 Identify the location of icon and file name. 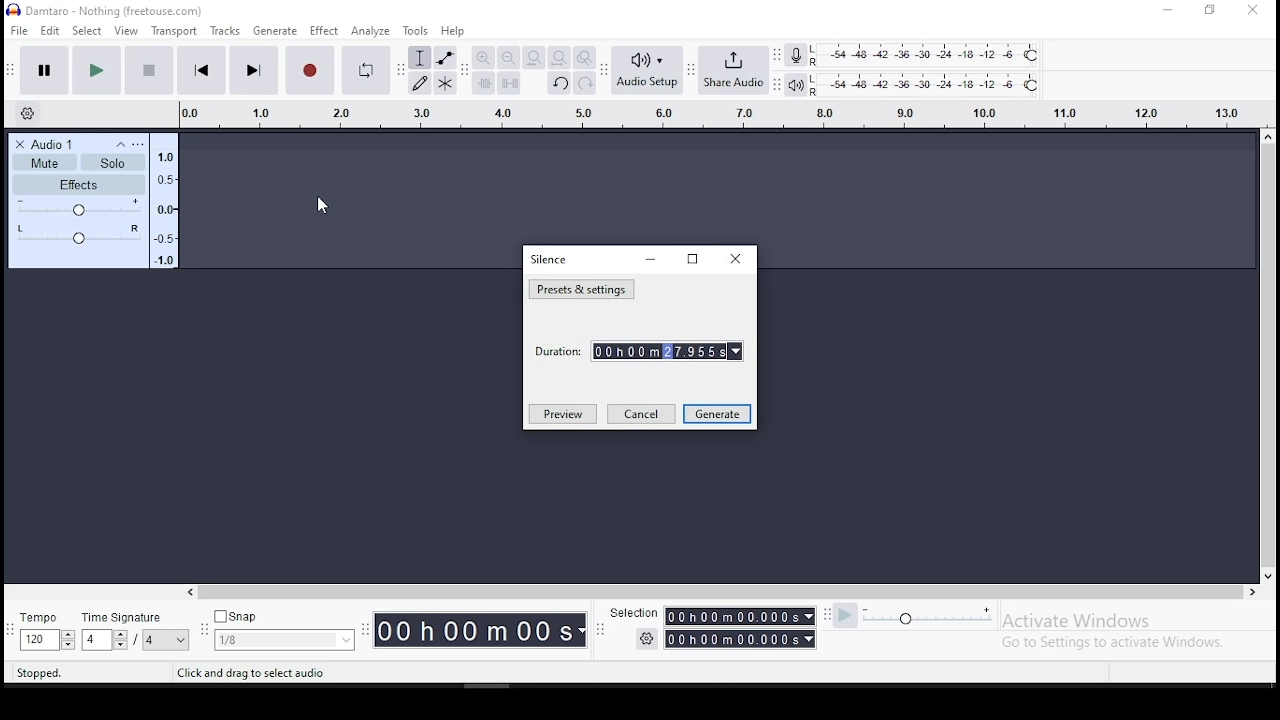
(105, 10).